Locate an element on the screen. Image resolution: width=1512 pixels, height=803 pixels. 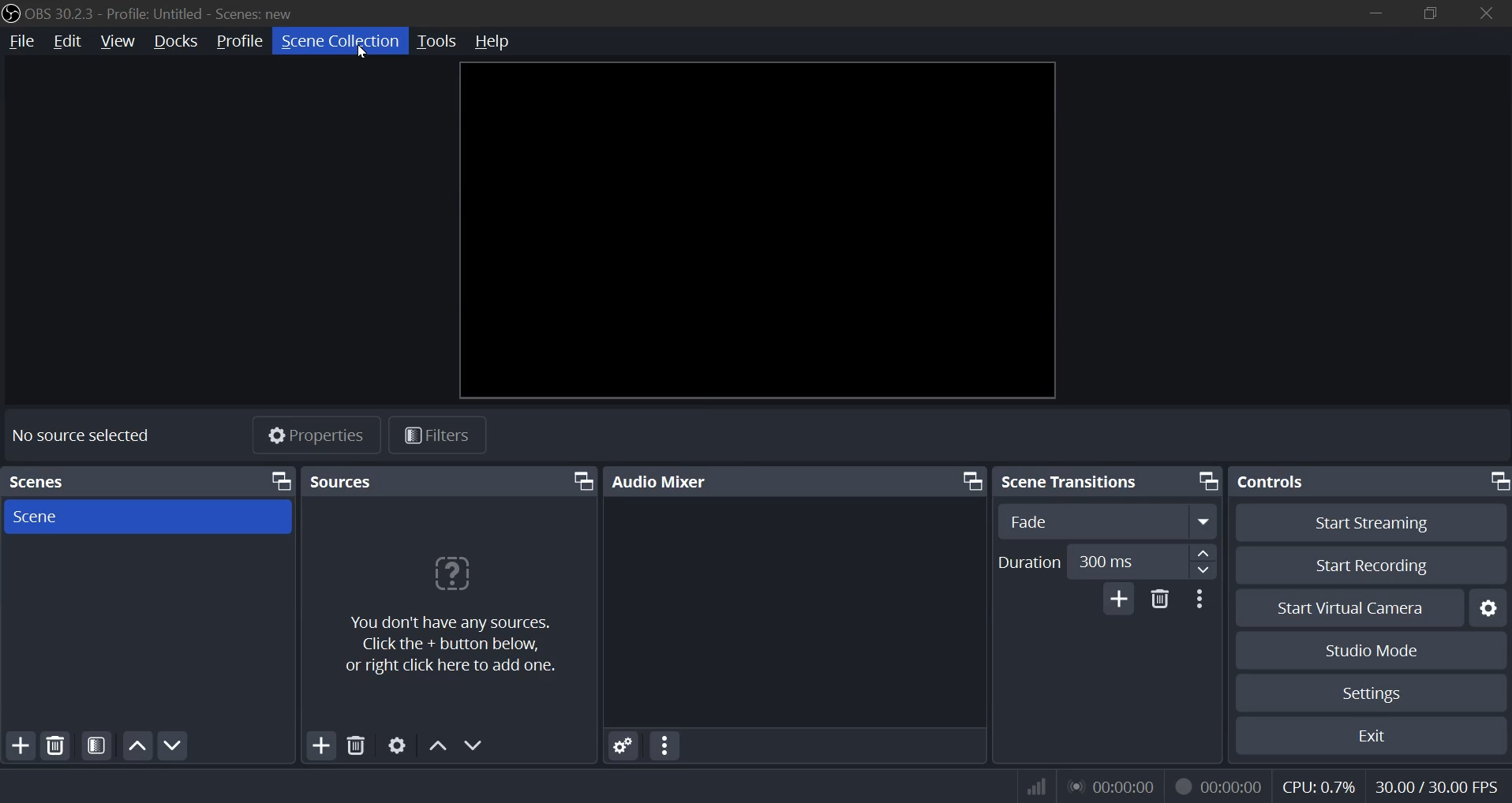
open source filters is located at coordinates (95, 745).